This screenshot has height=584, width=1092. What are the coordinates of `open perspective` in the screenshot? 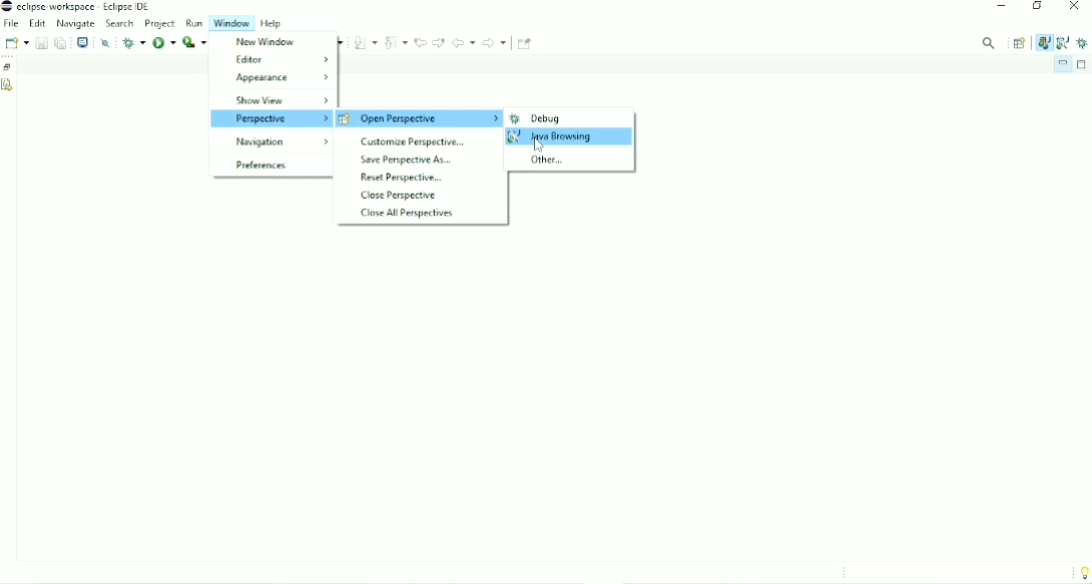 It's located at (420, 119).